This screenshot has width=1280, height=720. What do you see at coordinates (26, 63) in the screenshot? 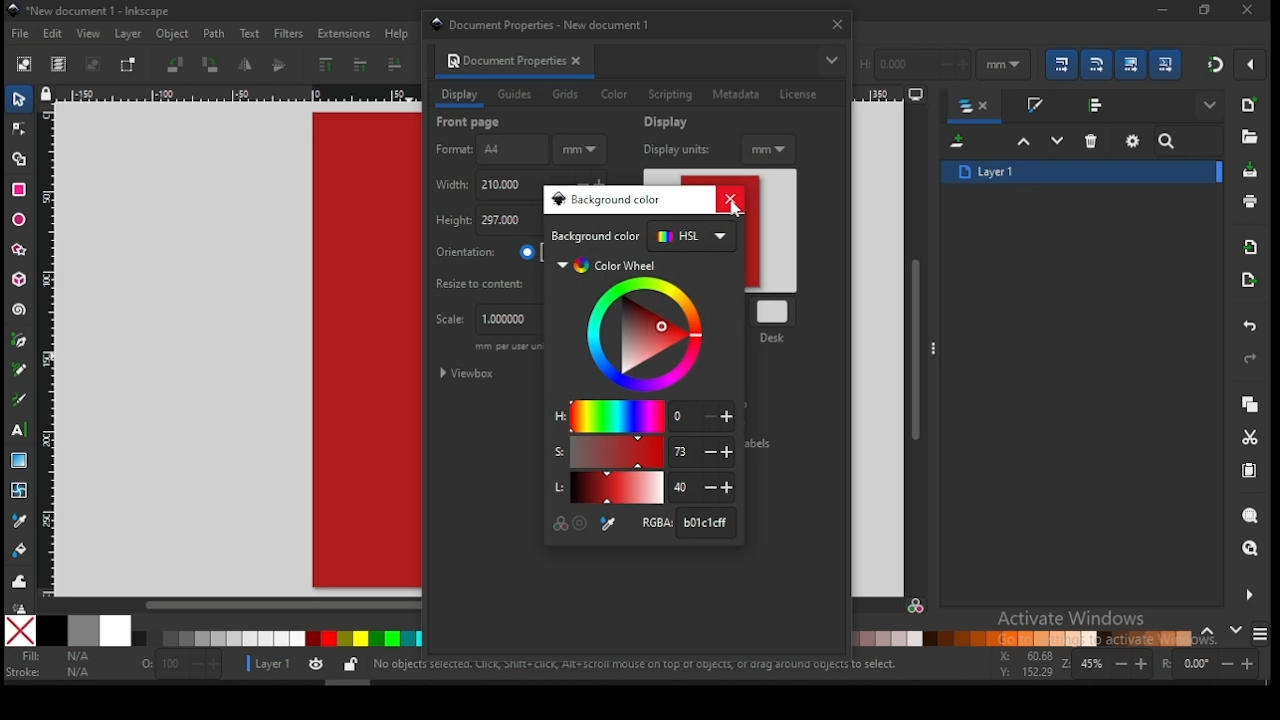
I see `select all` at bounding box center [26, 63].